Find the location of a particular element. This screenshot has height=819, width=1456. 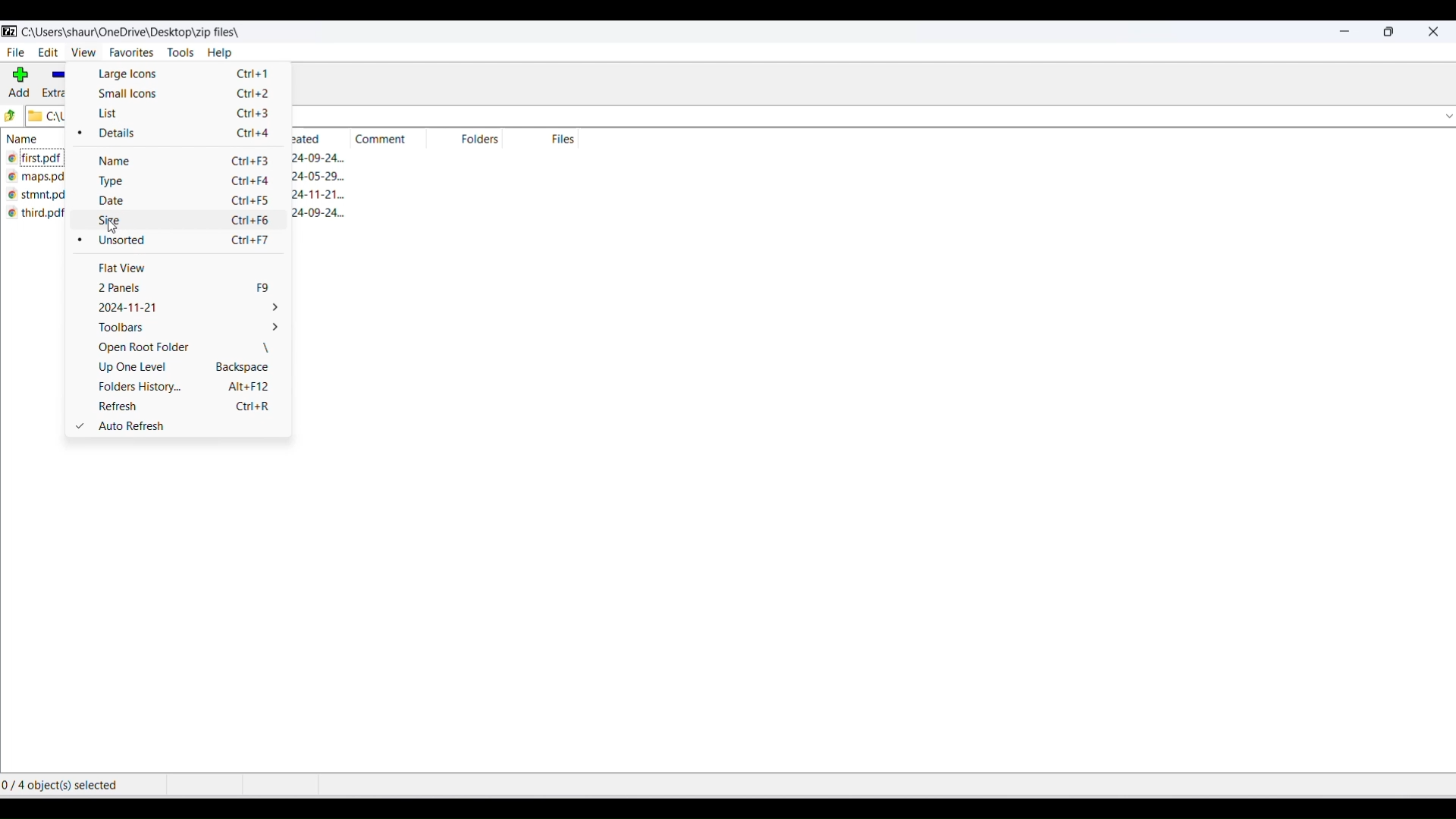

dropdown is located at coordinates (1447, 118).